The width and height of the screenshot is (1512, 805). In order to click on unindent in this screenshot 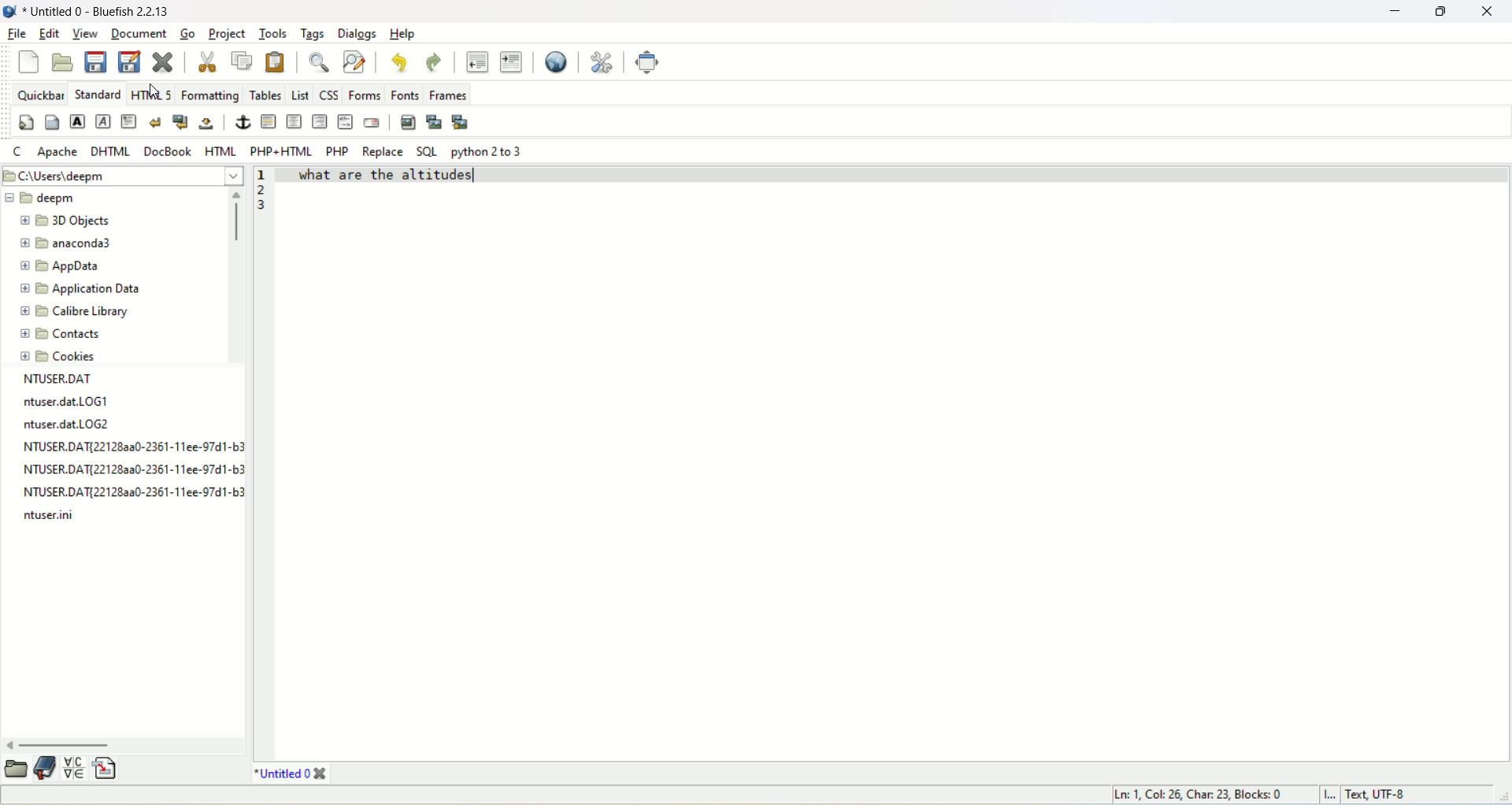, I will do `click(476, 61)`.